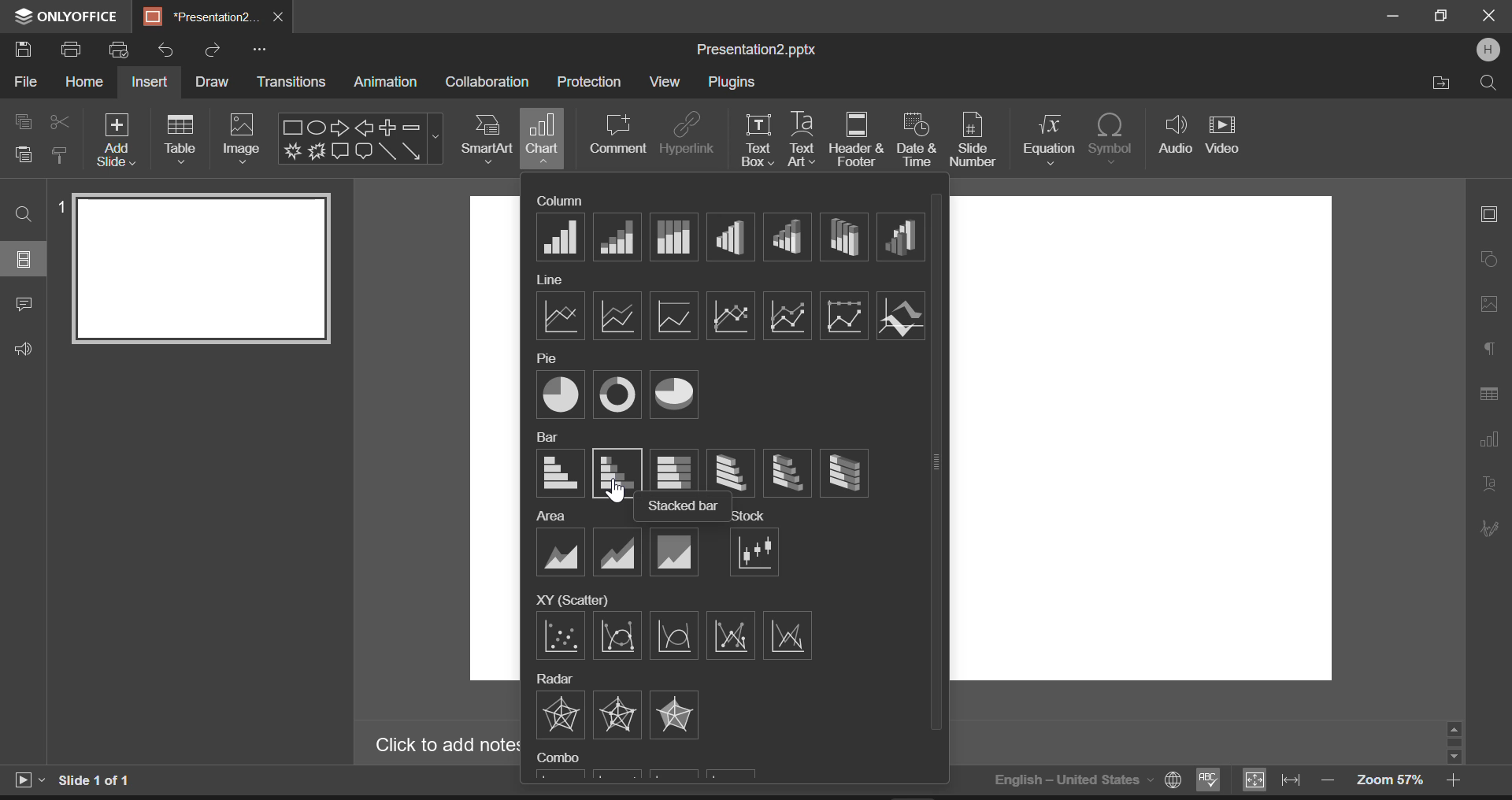 This screenshot has height=800, width=1512. Describe the element at coordinates (183, 138) in the screenshot. I see `Table` at that location.